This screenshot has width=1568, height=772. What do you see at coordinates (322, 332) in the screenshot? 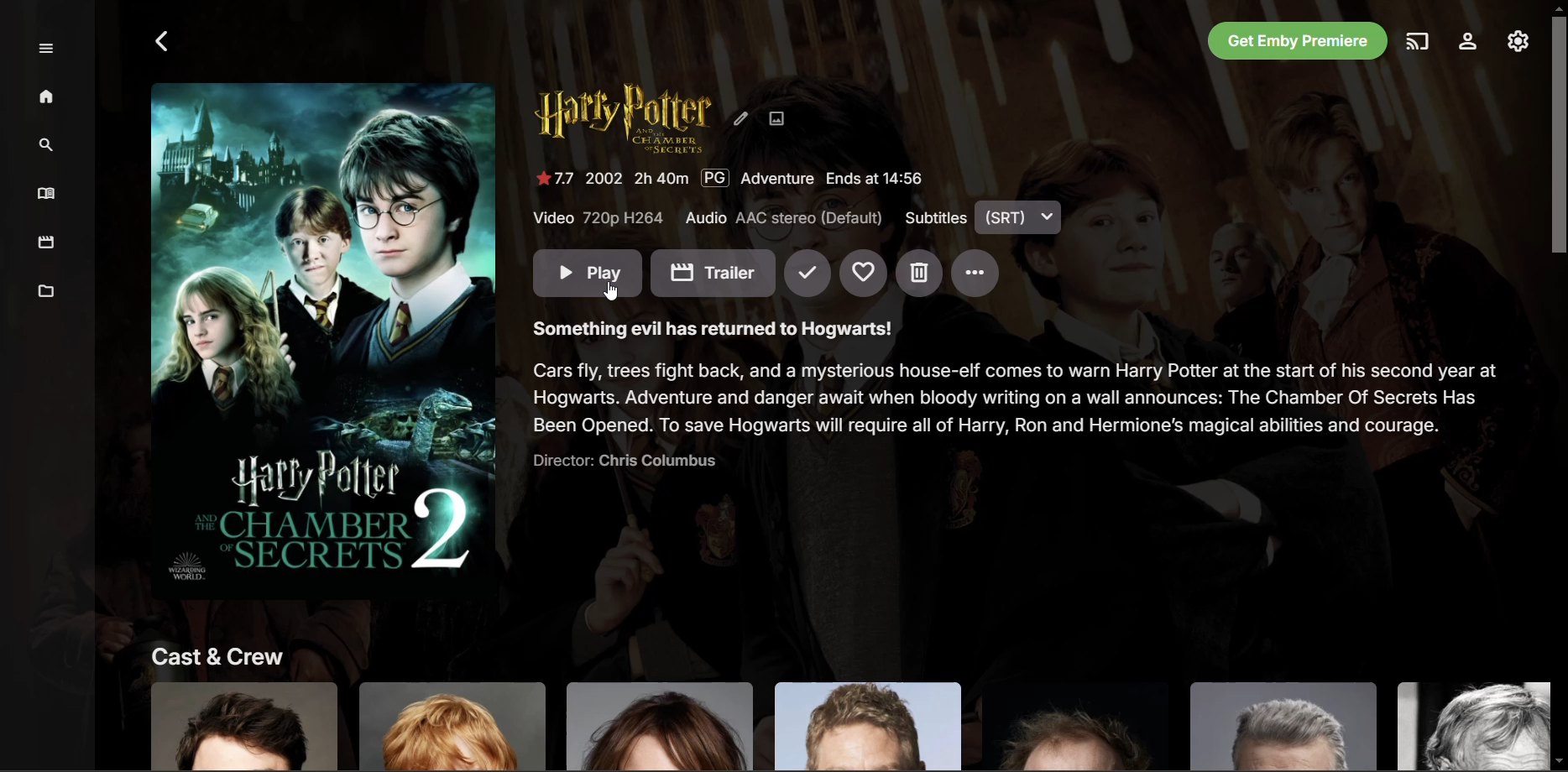
I see `Movie Image - Click to Play` at bounding box center [322, 332].